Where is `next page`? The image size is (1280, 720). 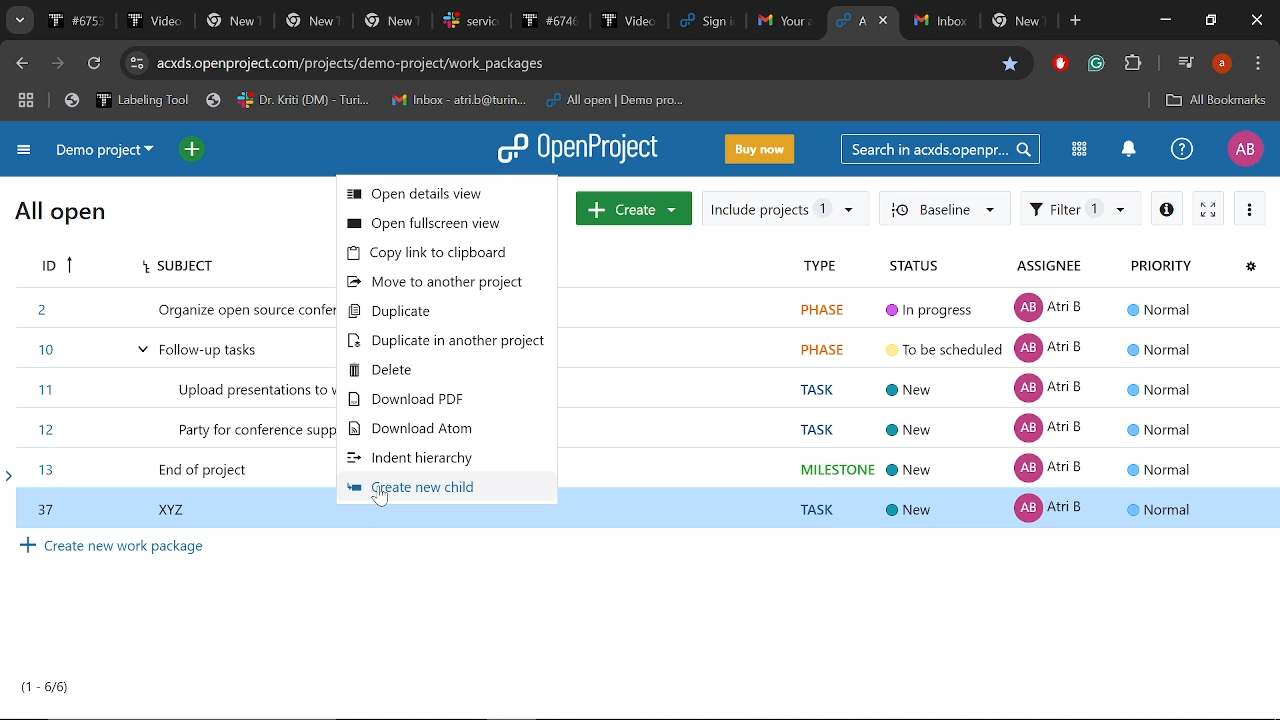 next page is located at coordinates (57, 64).